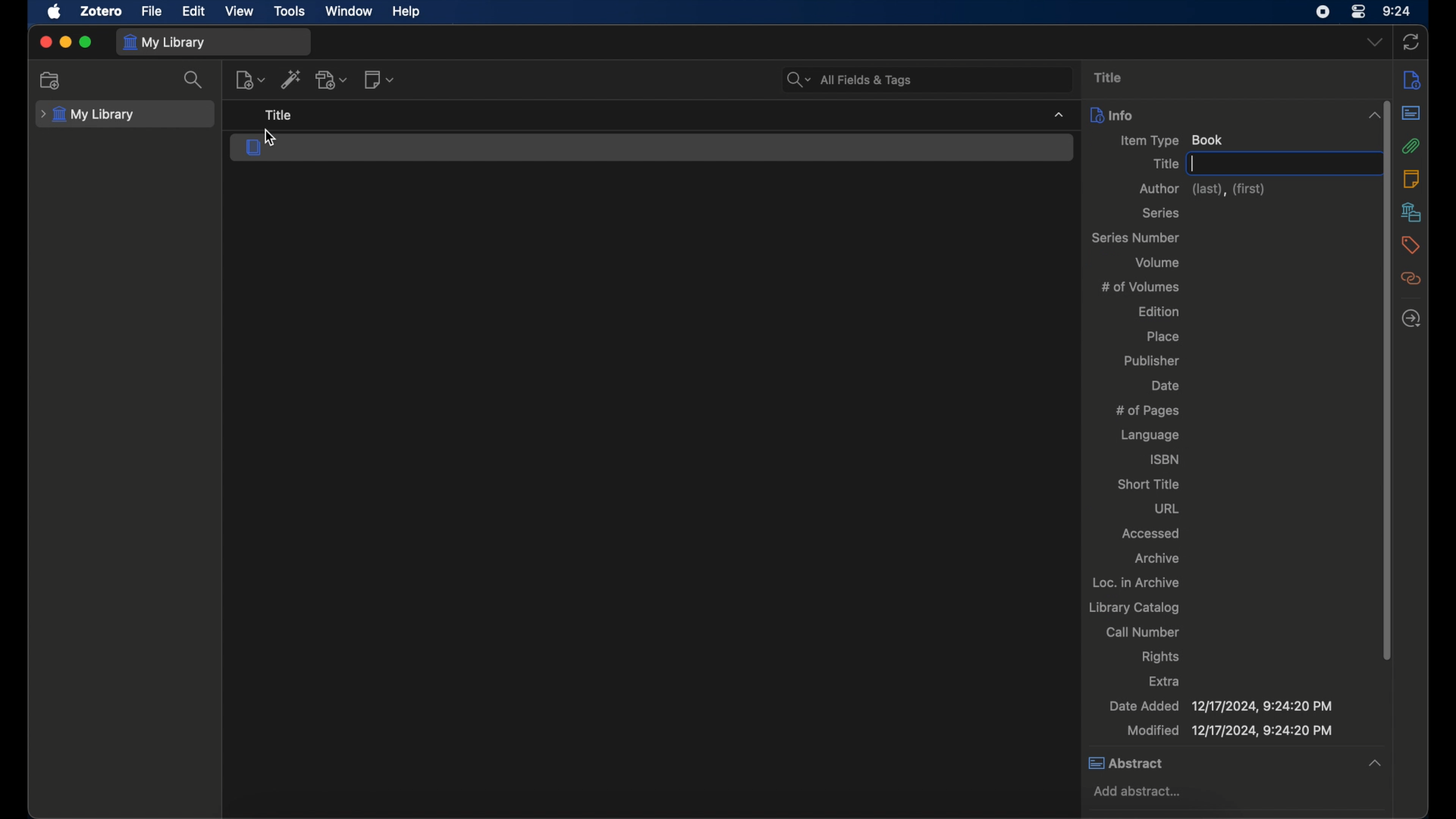 The width and height of the screenshot is (1456, 819). What do you see at coordinates (1411, 278) in the screenshot?
I see `related` at bounding box center [1411, 278].